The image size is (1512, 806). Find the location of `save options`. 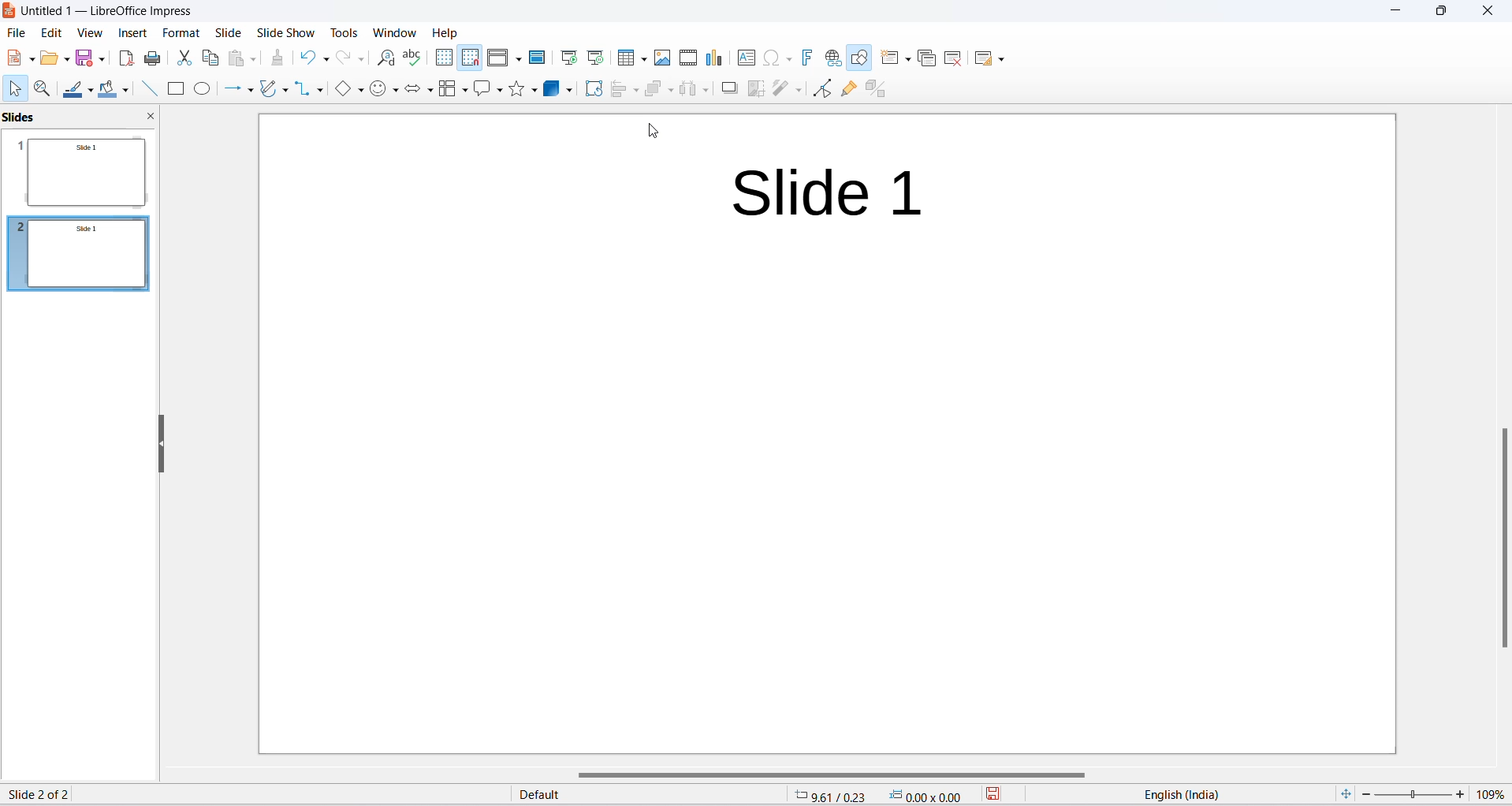

save options is located at coordinates (91, 61).